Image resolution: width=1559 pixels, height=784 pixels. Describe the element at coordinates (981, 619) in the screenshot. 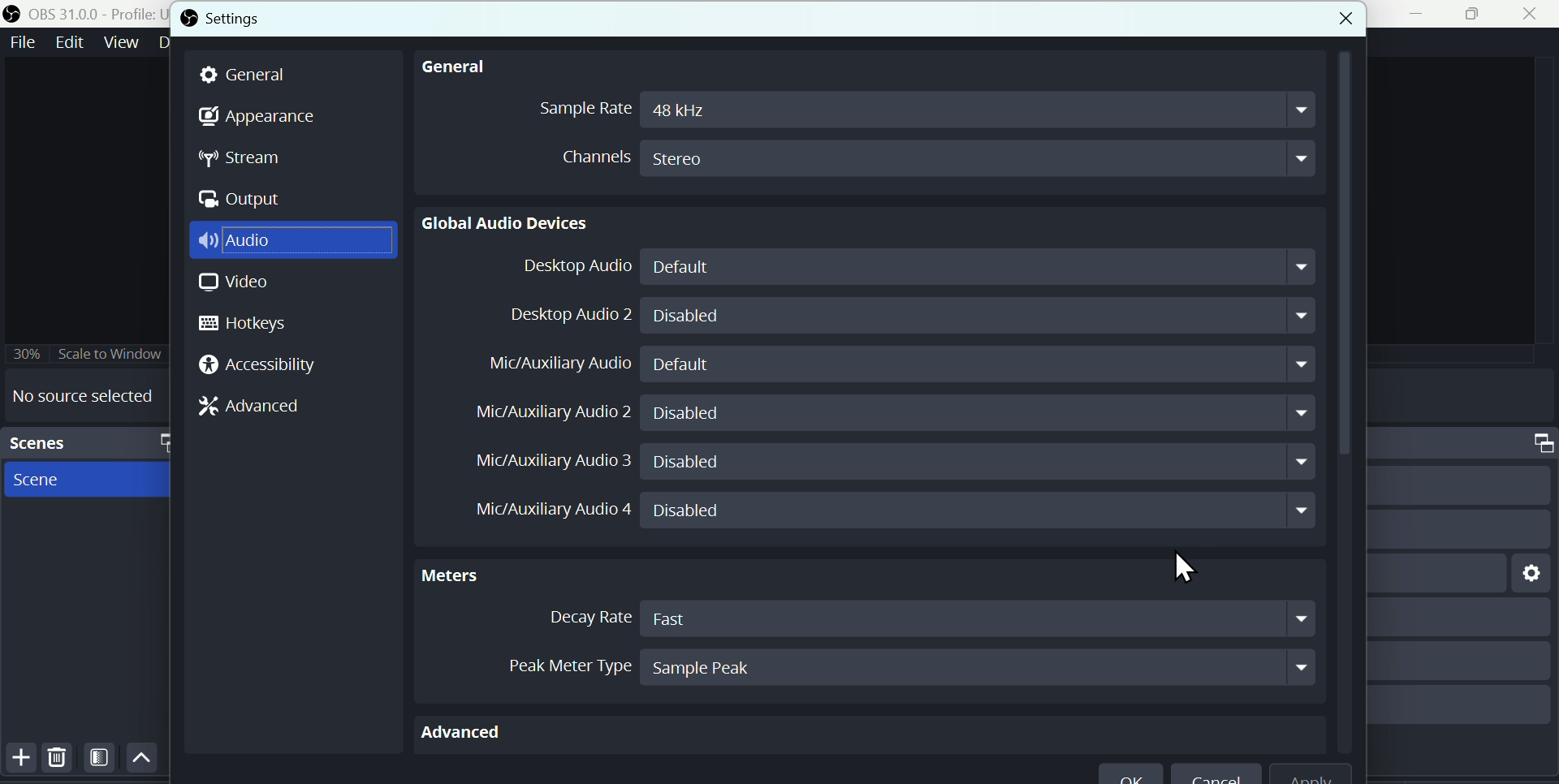

I see `Fast` at that location.